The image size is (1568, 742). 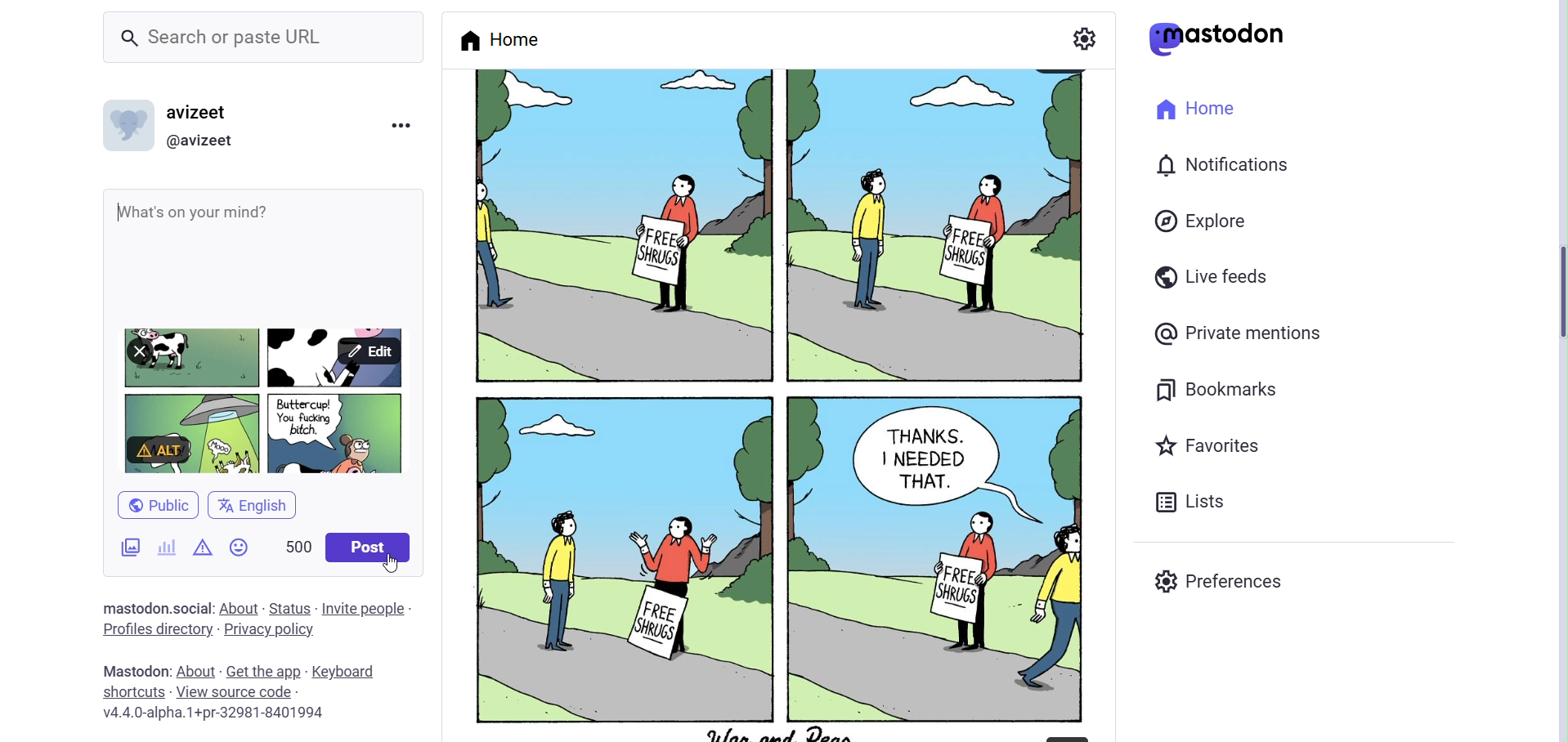 What do you see at coordinates (158, 608) in the screenshot?
I see `Text` at bounding box center [158, 608].